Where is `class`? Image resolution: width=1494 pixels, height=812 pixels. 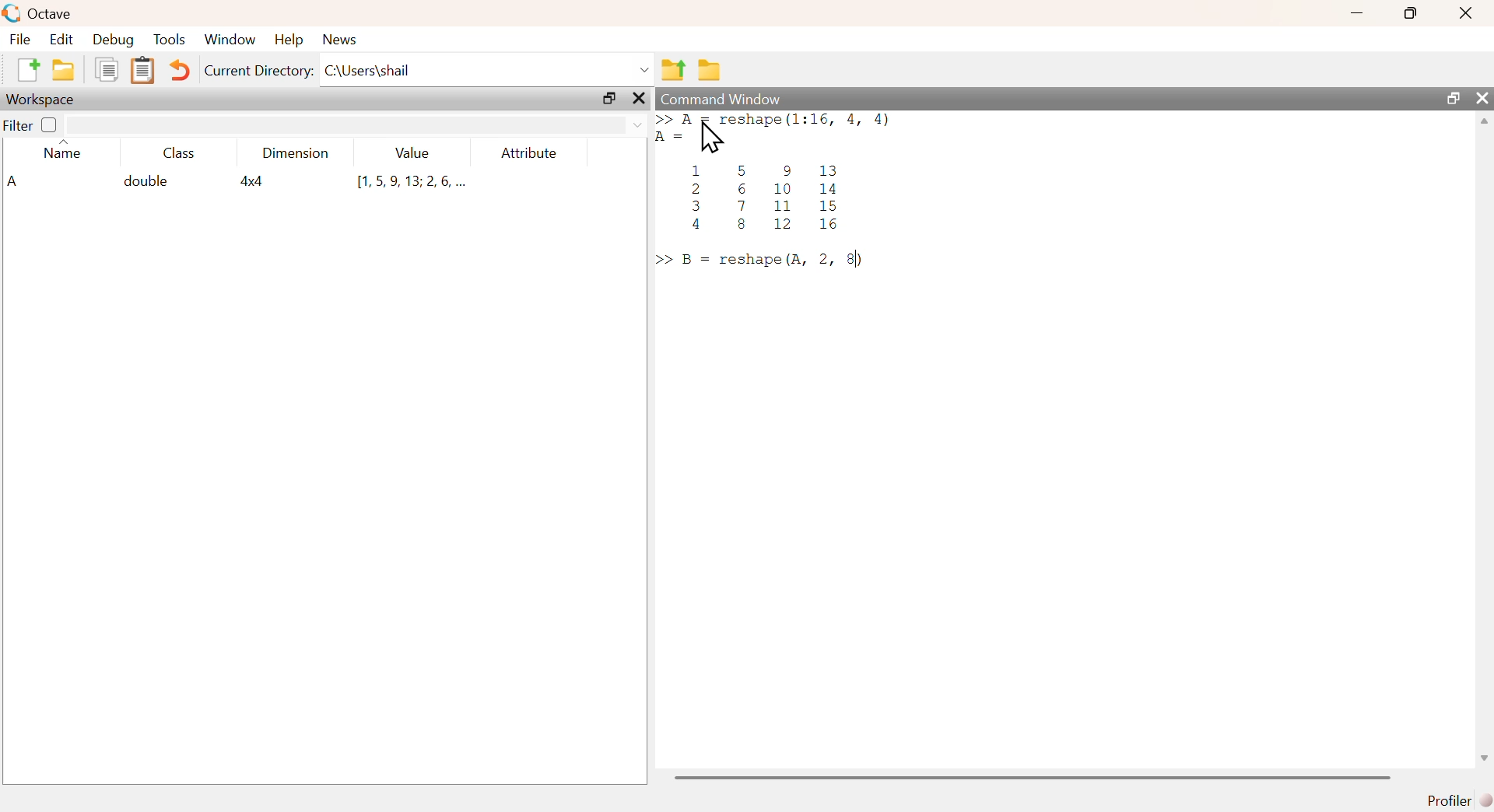 class is located at coordinates (180, 154).